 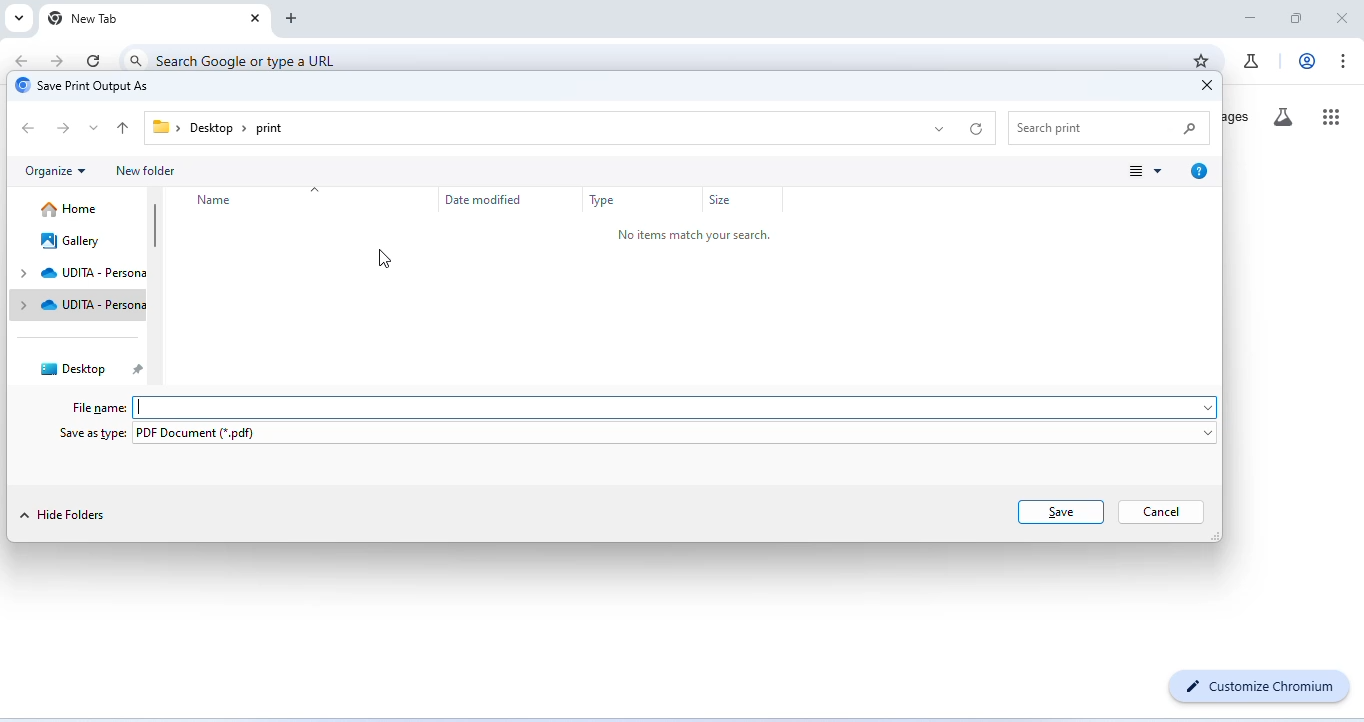 What do you see at coordinates (95, 60) in the screenshot?
I see `refresh` at bounding box center [95, 60].